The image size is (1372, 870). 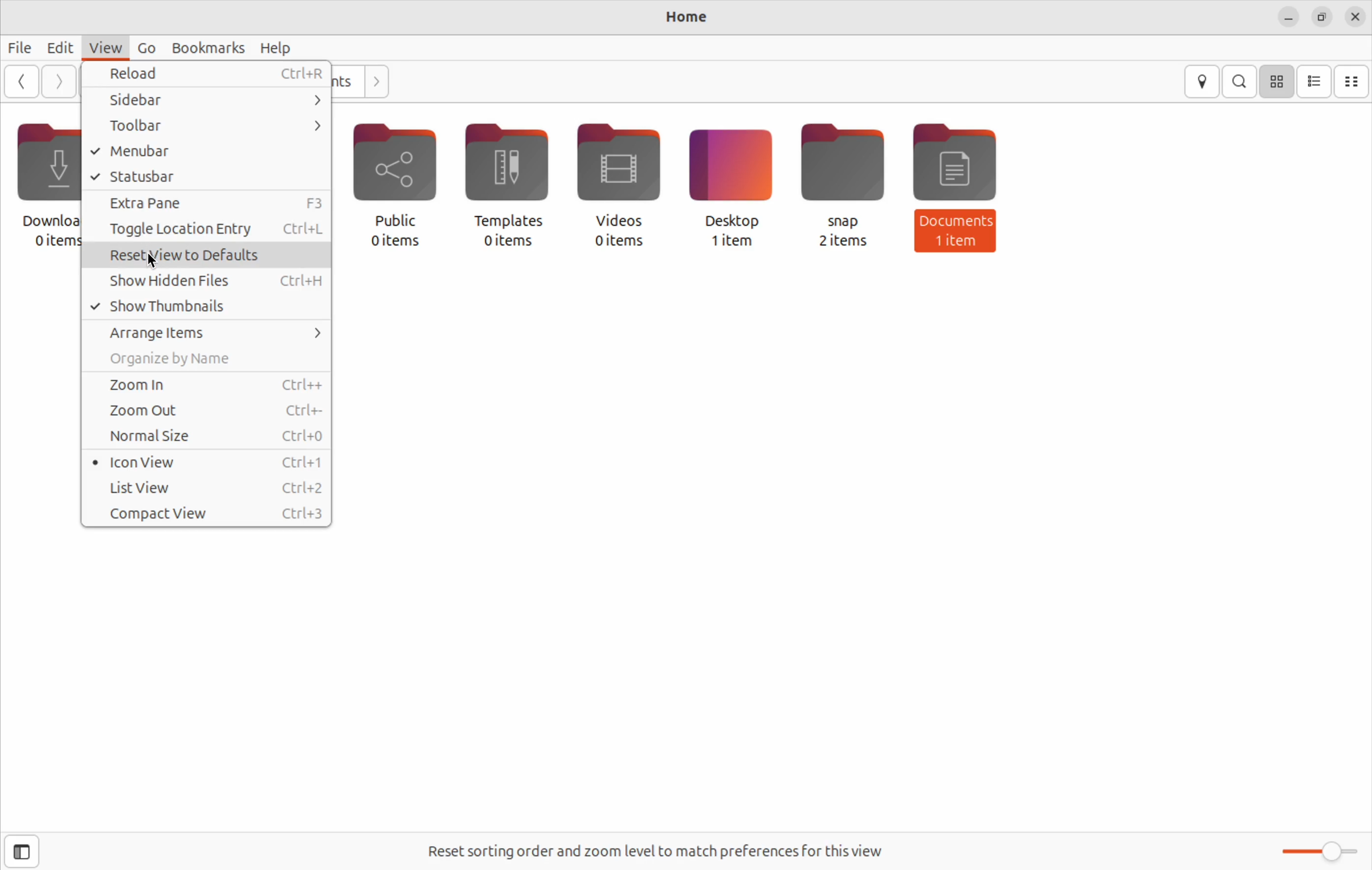 What do you see at coordinates (1319, 851) in the screenshot?
I see `Zoom` at bounding box center [1319, 851].